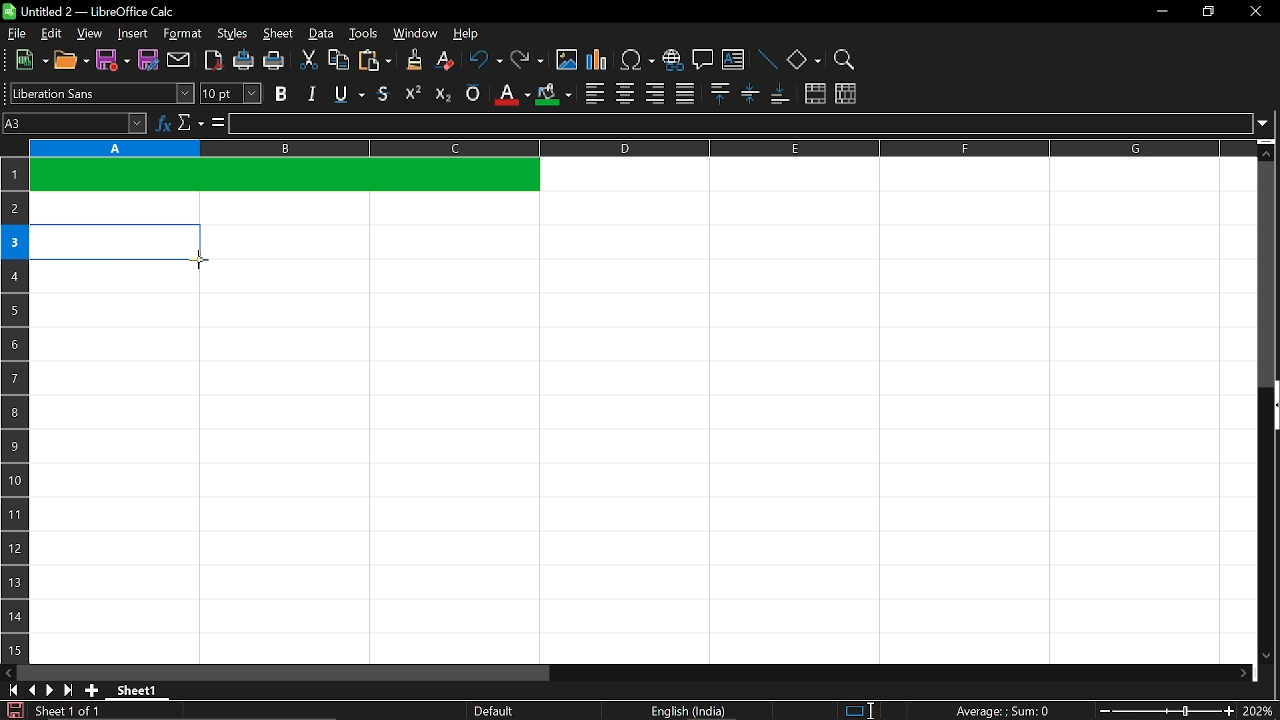 The width and height of the screenshot is (1280, 720). I want to click on insert, so click(133, 34).